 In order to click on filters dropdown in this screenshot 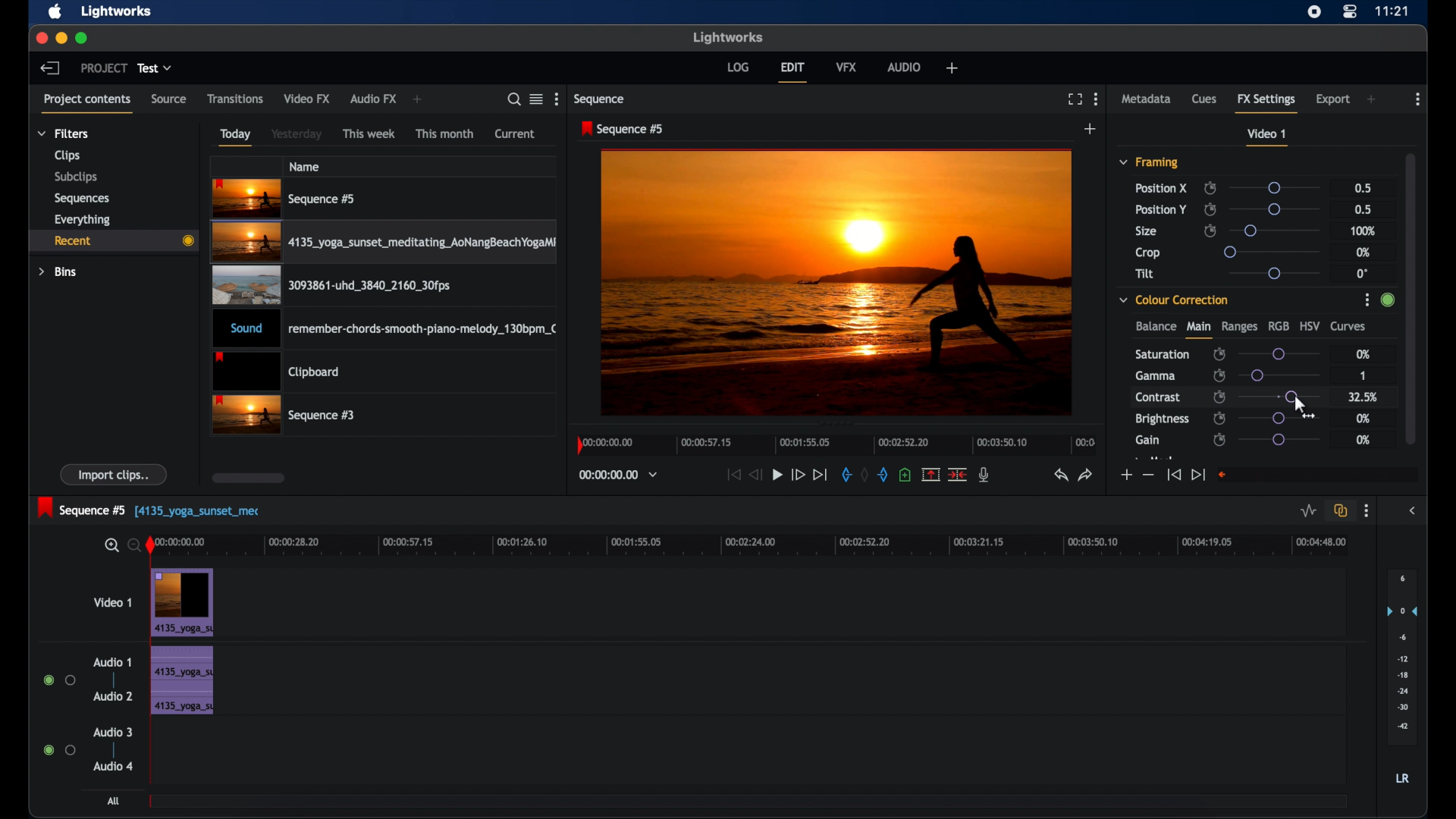, I will do `click(67, 134)`.